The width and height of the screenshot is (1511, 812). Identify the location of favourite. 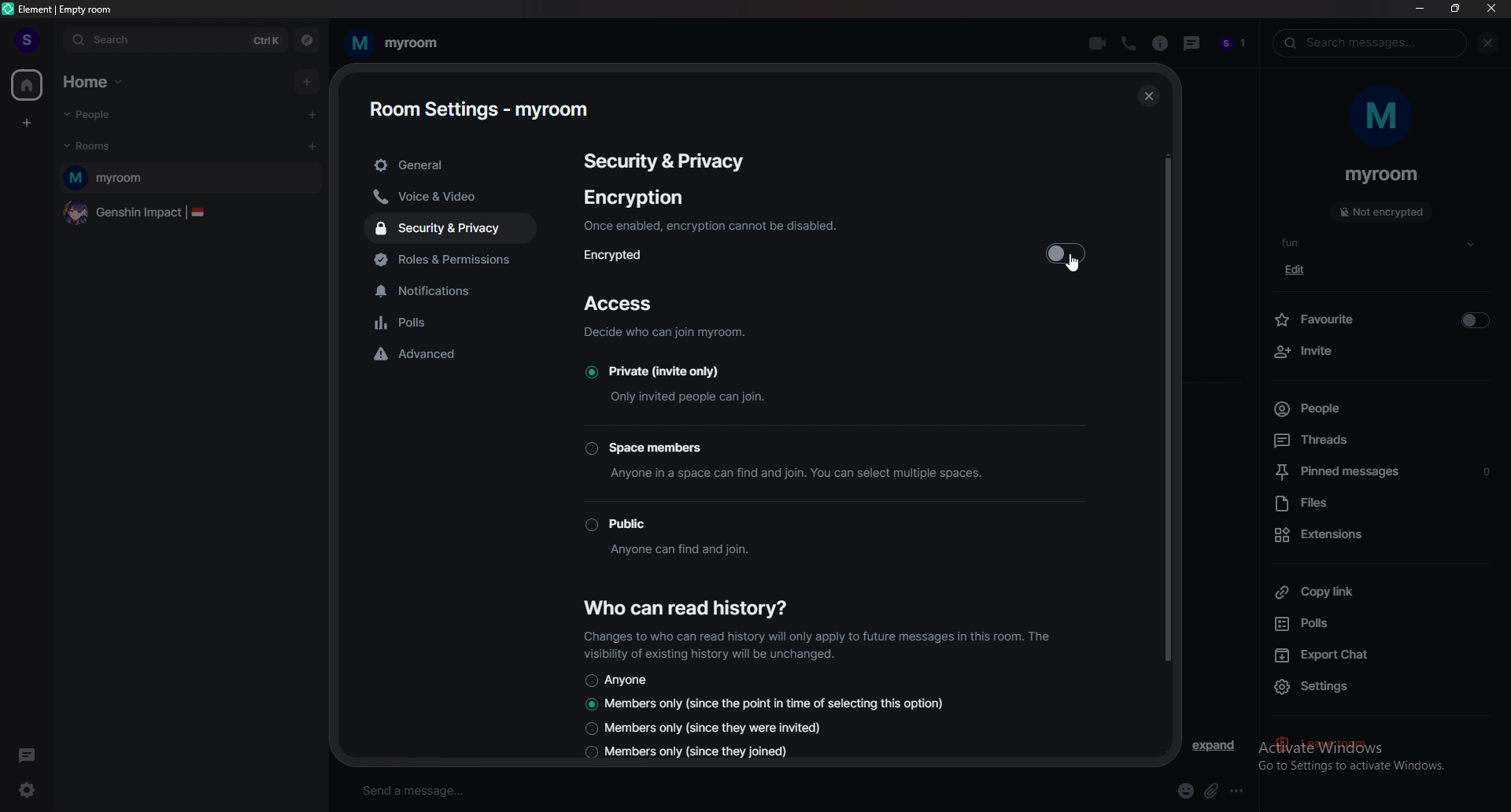
(1384, 319).